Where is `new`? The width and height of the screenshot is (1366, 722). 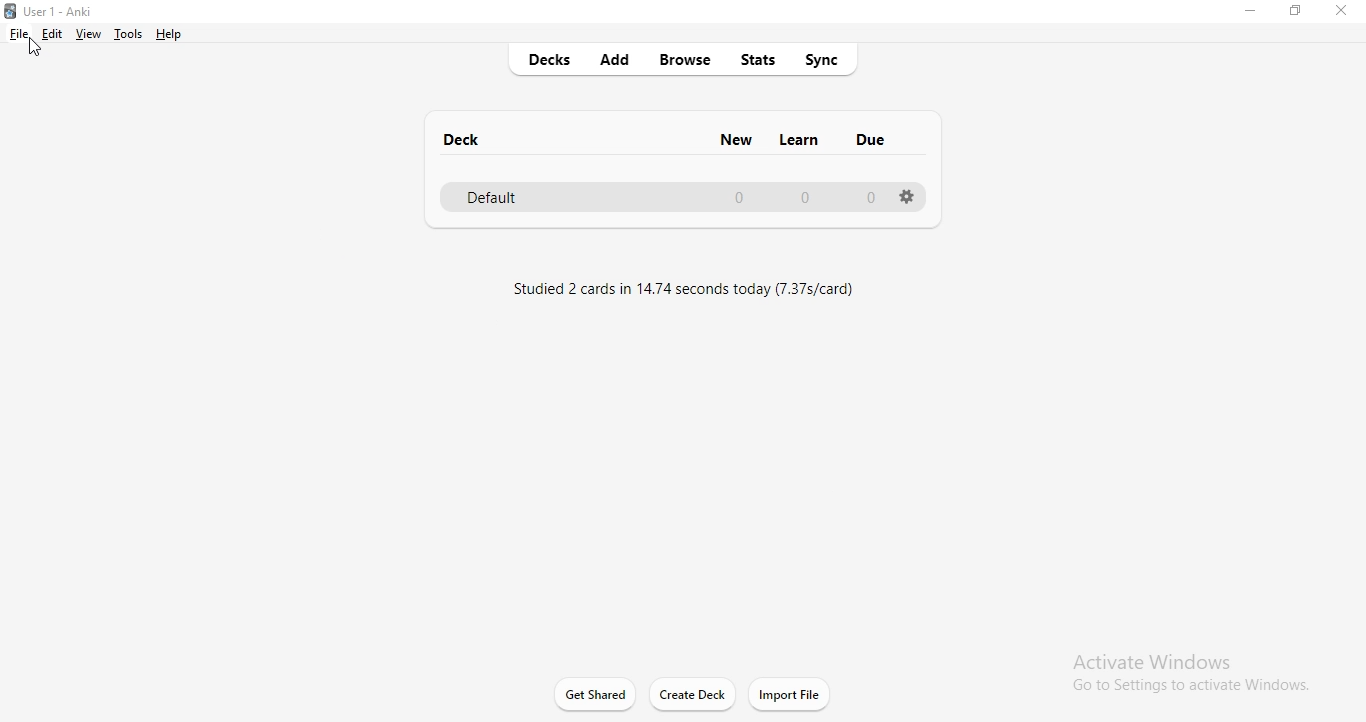 new is located at coordinates (735, 137).